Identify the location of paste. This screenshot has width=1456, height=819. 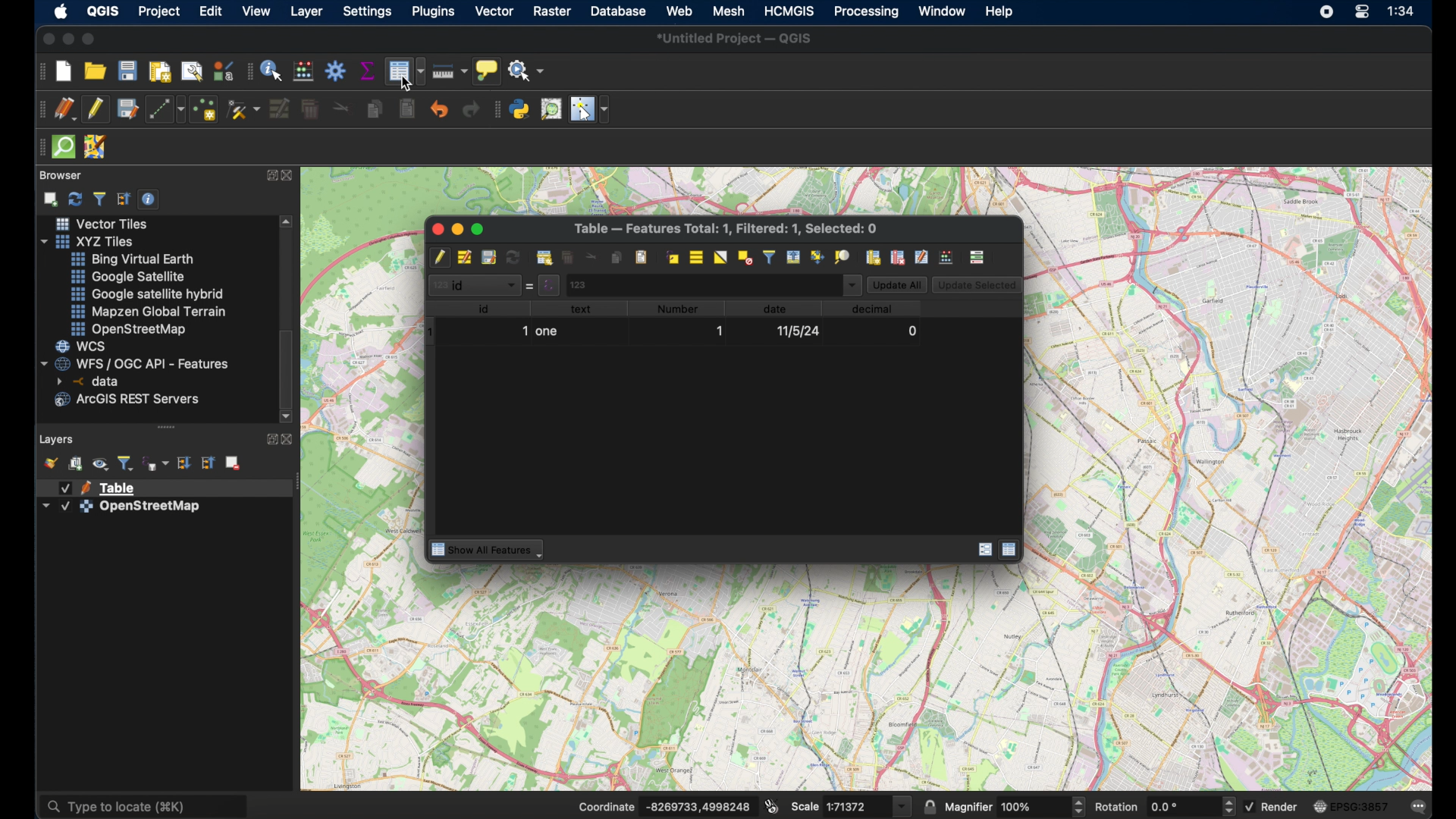
(406, 112).